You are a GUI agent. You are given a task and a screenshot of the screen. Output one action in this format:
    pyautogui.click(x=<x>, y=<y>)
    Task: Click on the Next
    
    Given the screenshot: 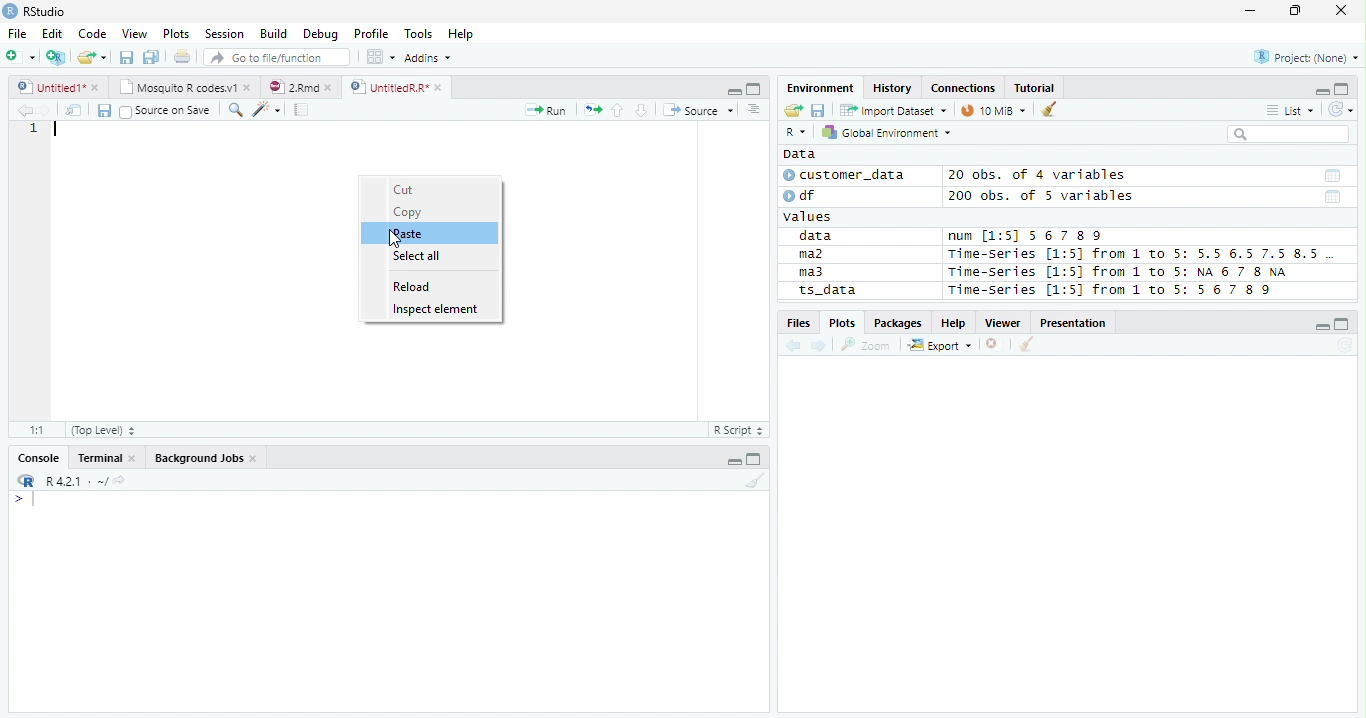 What is the action you would take?
    pyautogui.click(x=820, y=347)
    